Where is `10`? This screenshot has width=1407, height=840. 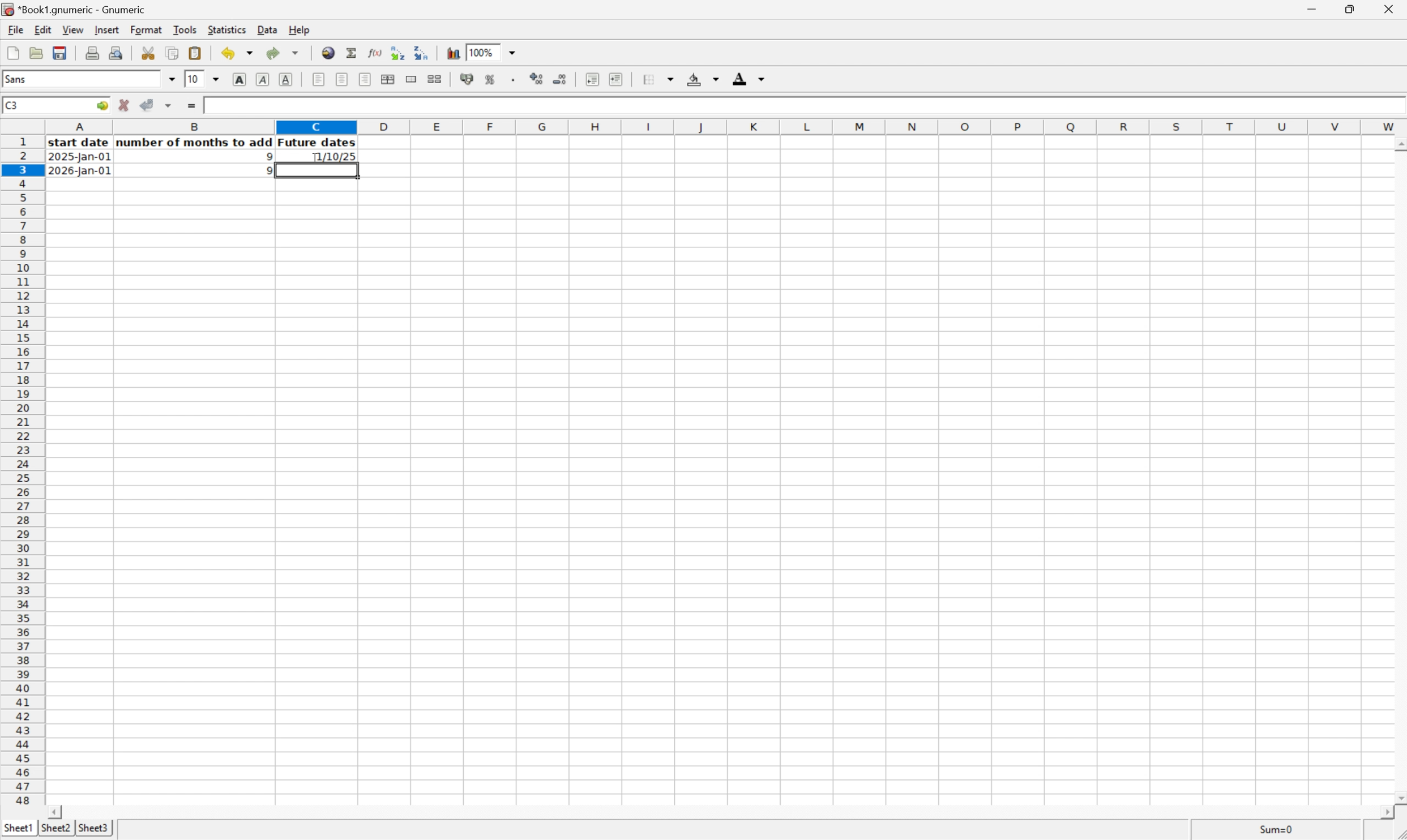
10 is located at coordinates (194, 79).